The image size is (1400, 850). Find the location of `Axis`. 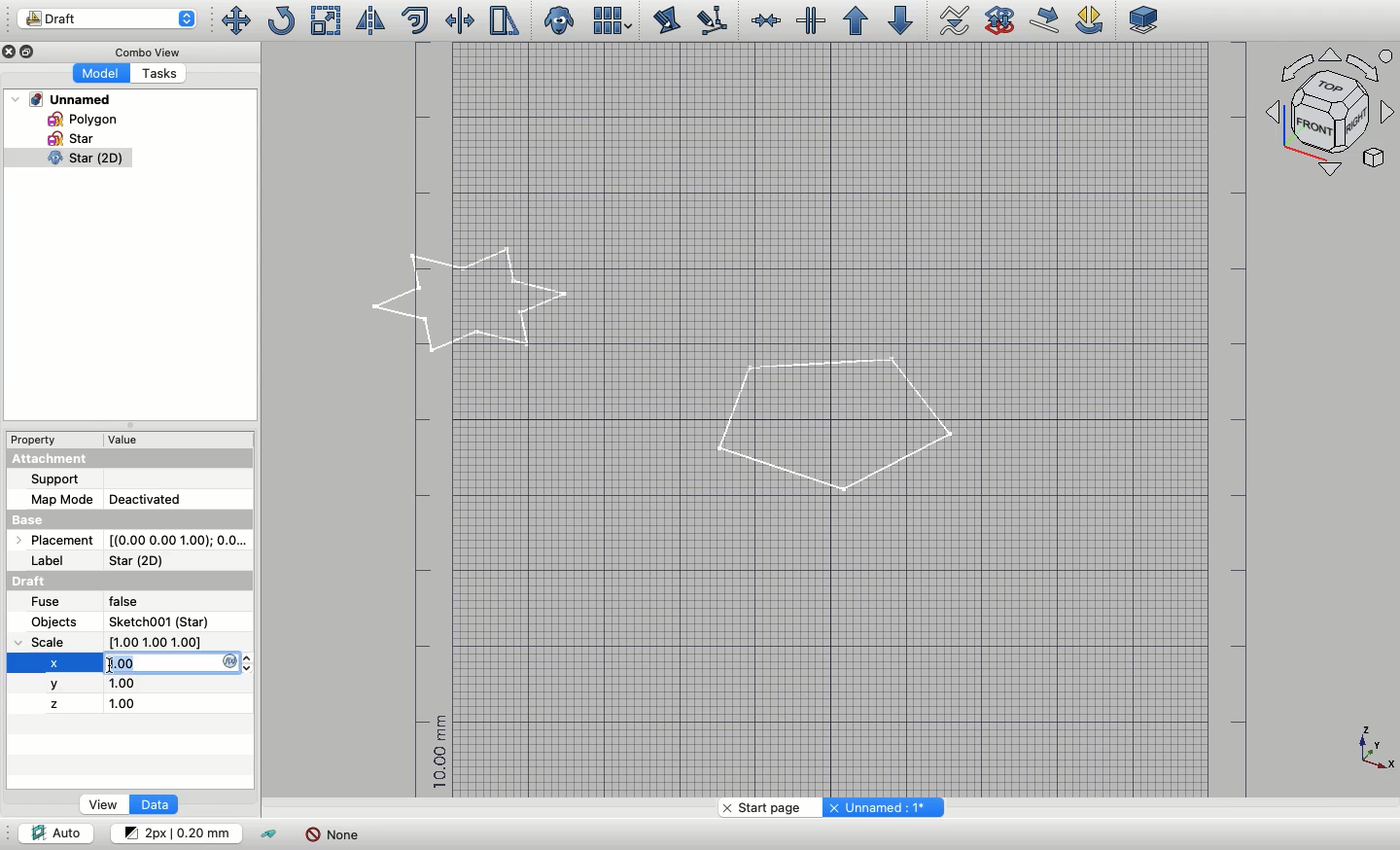

Axis is located at coordinates (1376, 749).